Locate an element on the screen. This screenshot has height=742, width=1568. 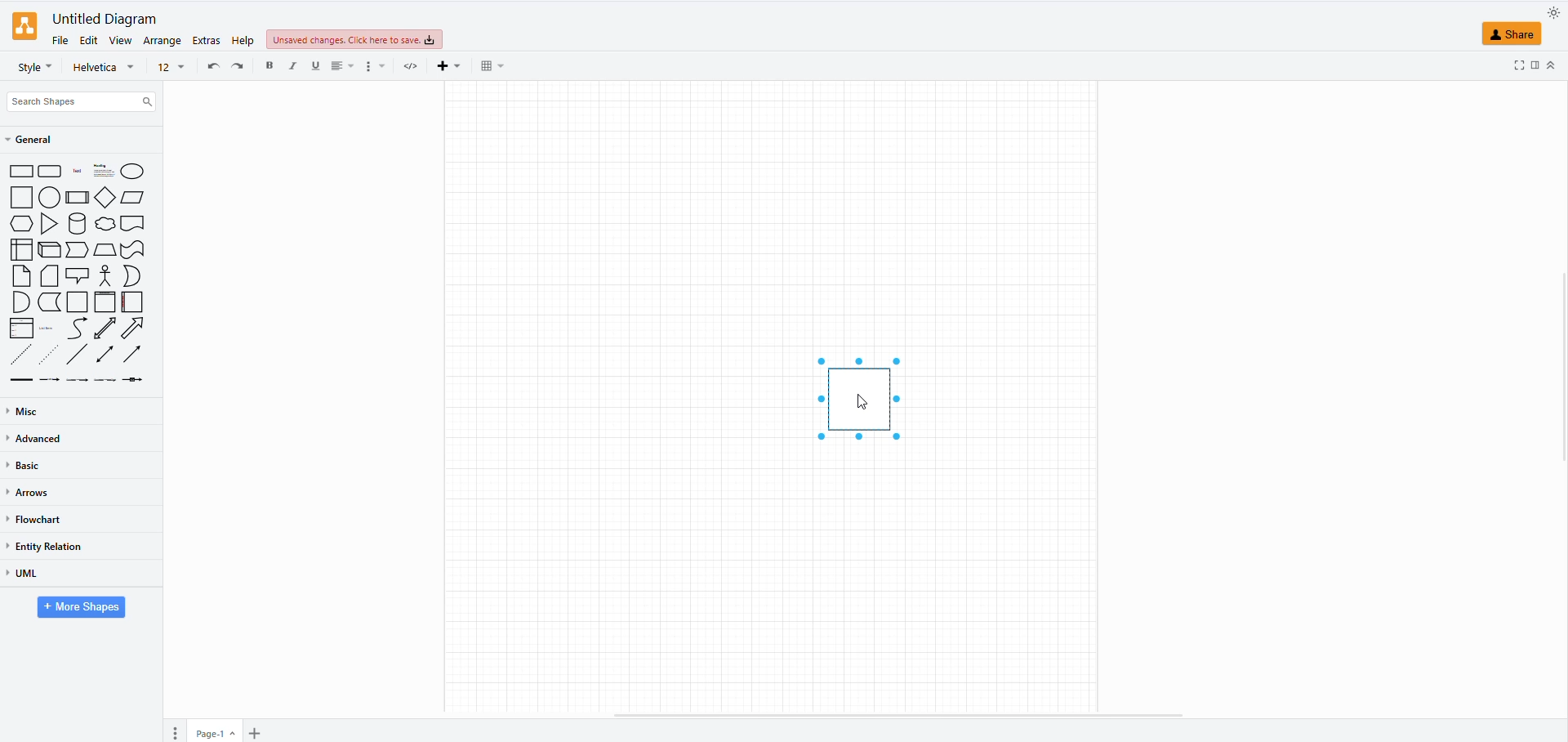
bold is located at coordinates (274, 66).